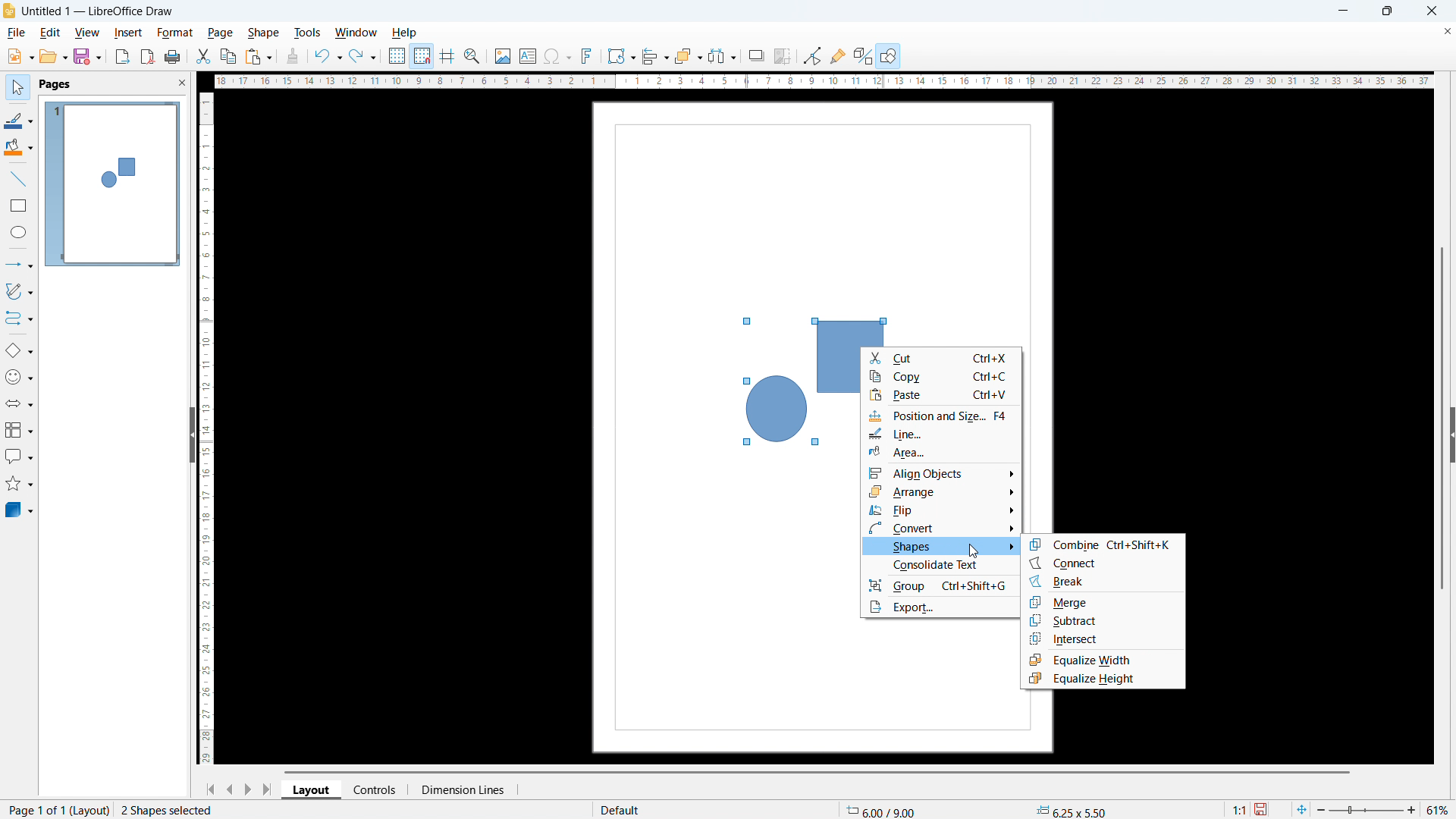  Describe the element at coordinates (20, 319) in the screenshot. I see `connectors` at that location.